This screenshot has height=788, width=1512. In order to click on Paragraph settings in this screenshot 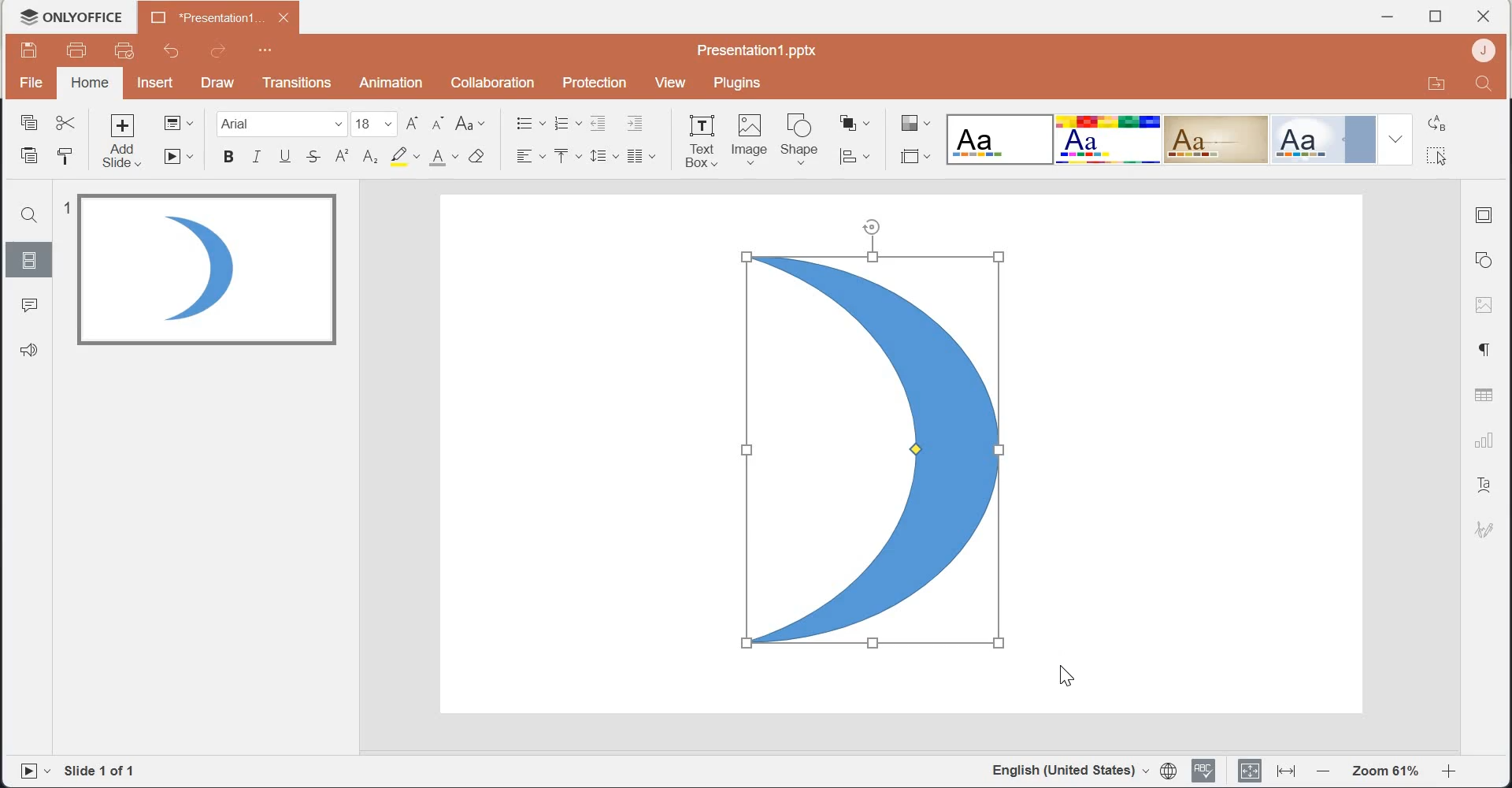, I will do `click(1484, 350)`.